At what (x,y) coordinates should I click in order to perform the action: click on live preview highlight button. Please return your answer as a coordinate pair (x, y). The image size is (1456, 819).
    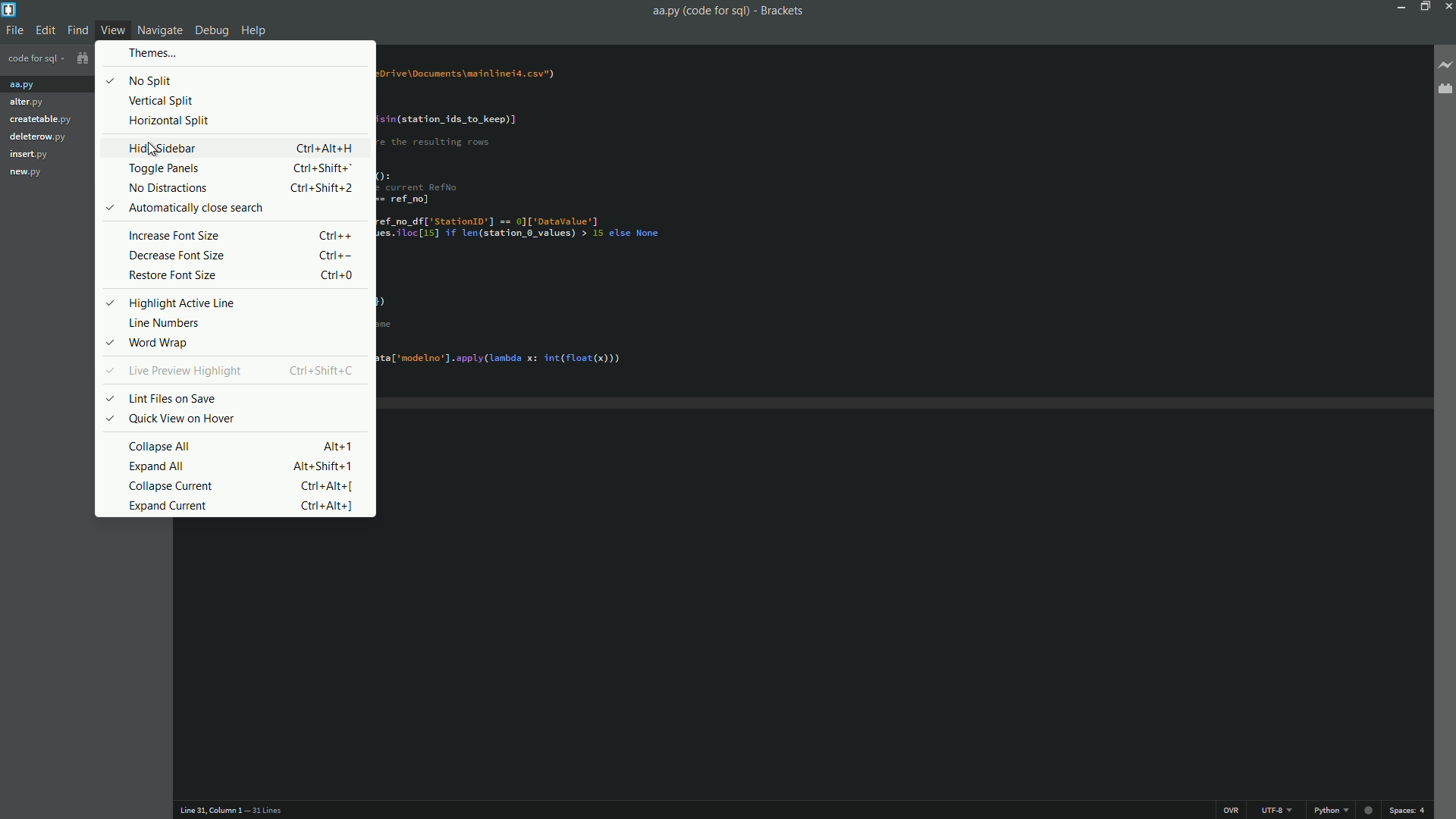
    Looking at the image, I should click on (187, 371).